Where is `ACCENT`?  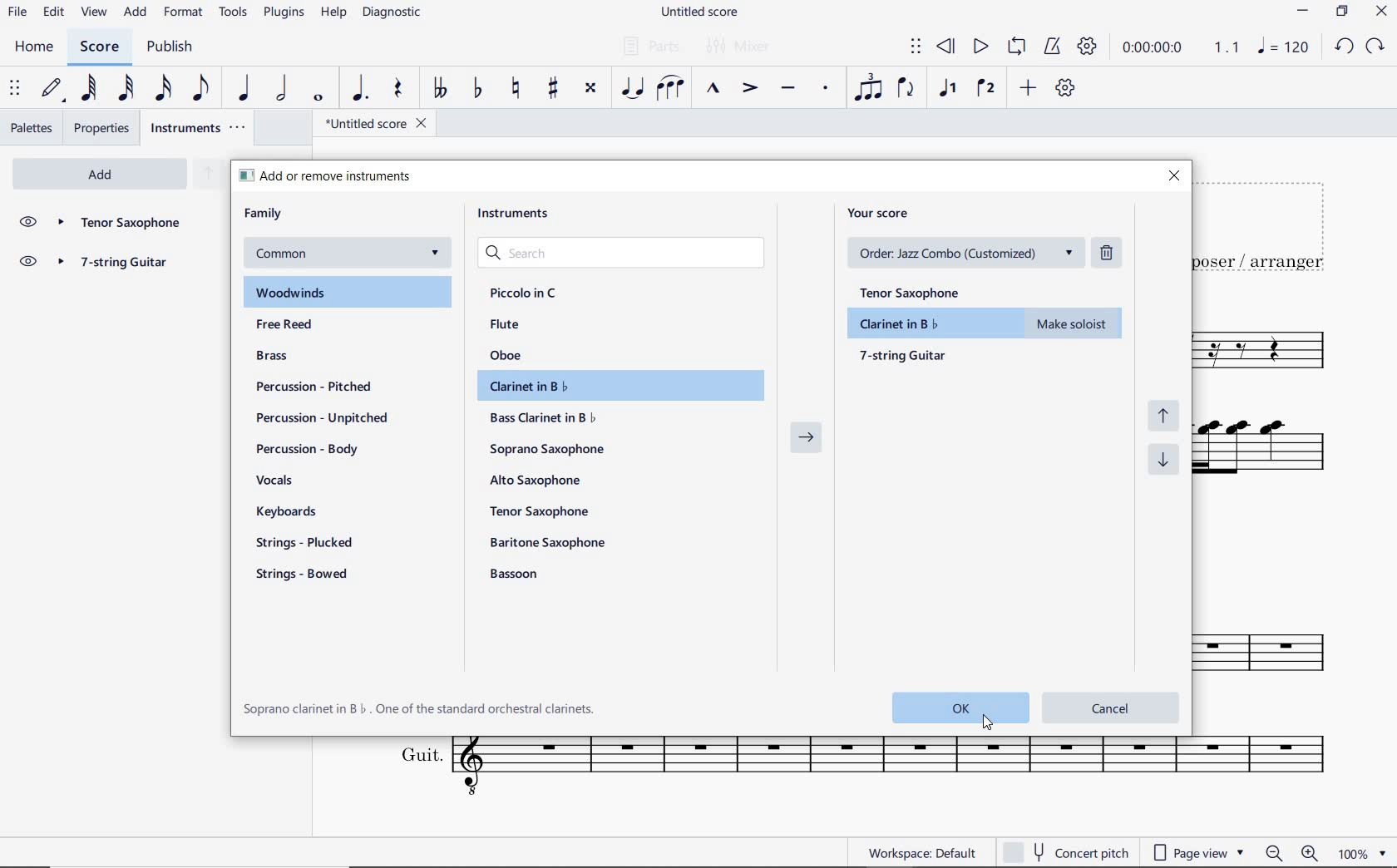
ACCENT is located at coordinates (749, 89).